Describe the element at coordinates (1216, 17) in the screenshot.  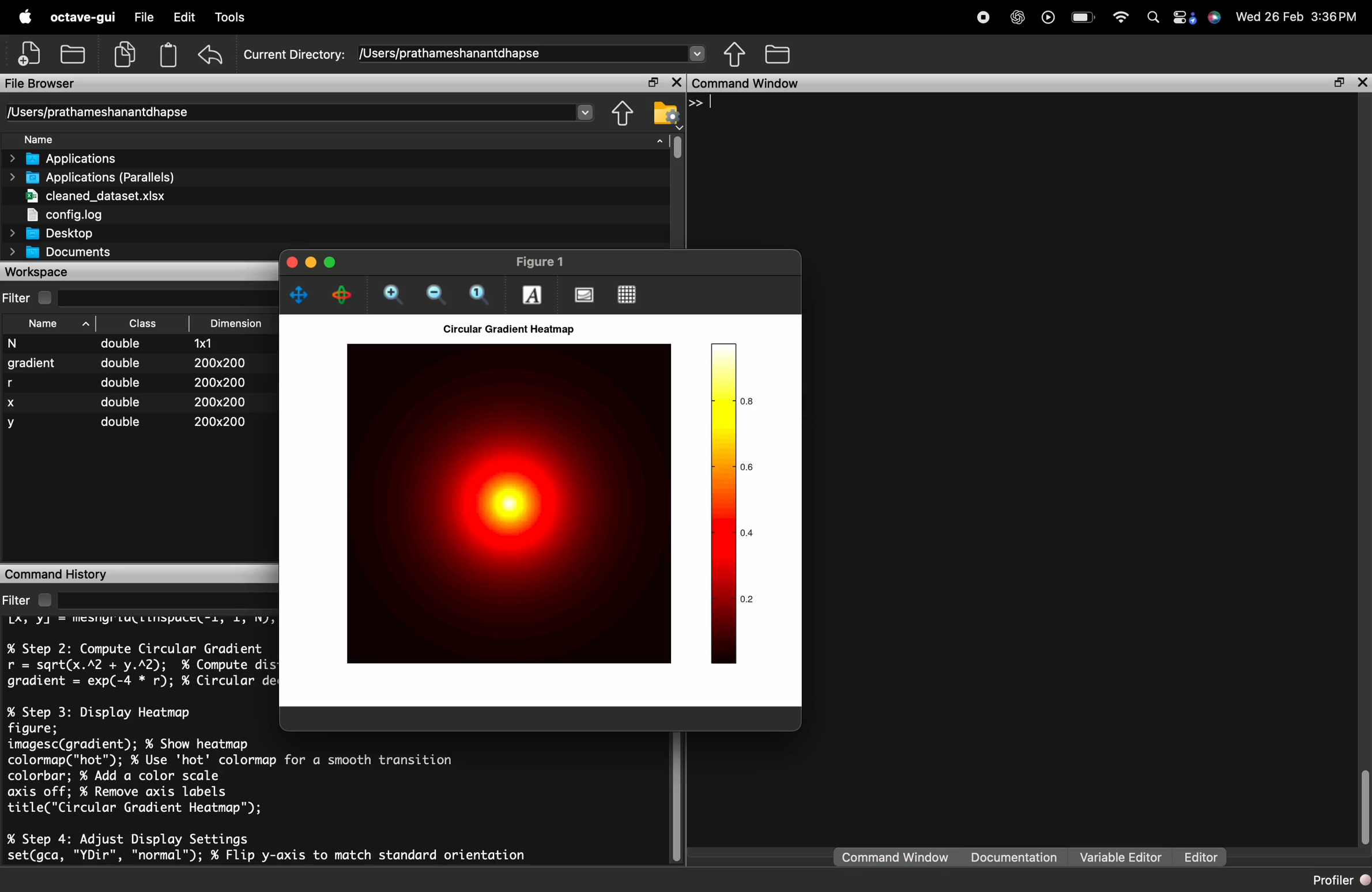
I see `Siri` at that location.